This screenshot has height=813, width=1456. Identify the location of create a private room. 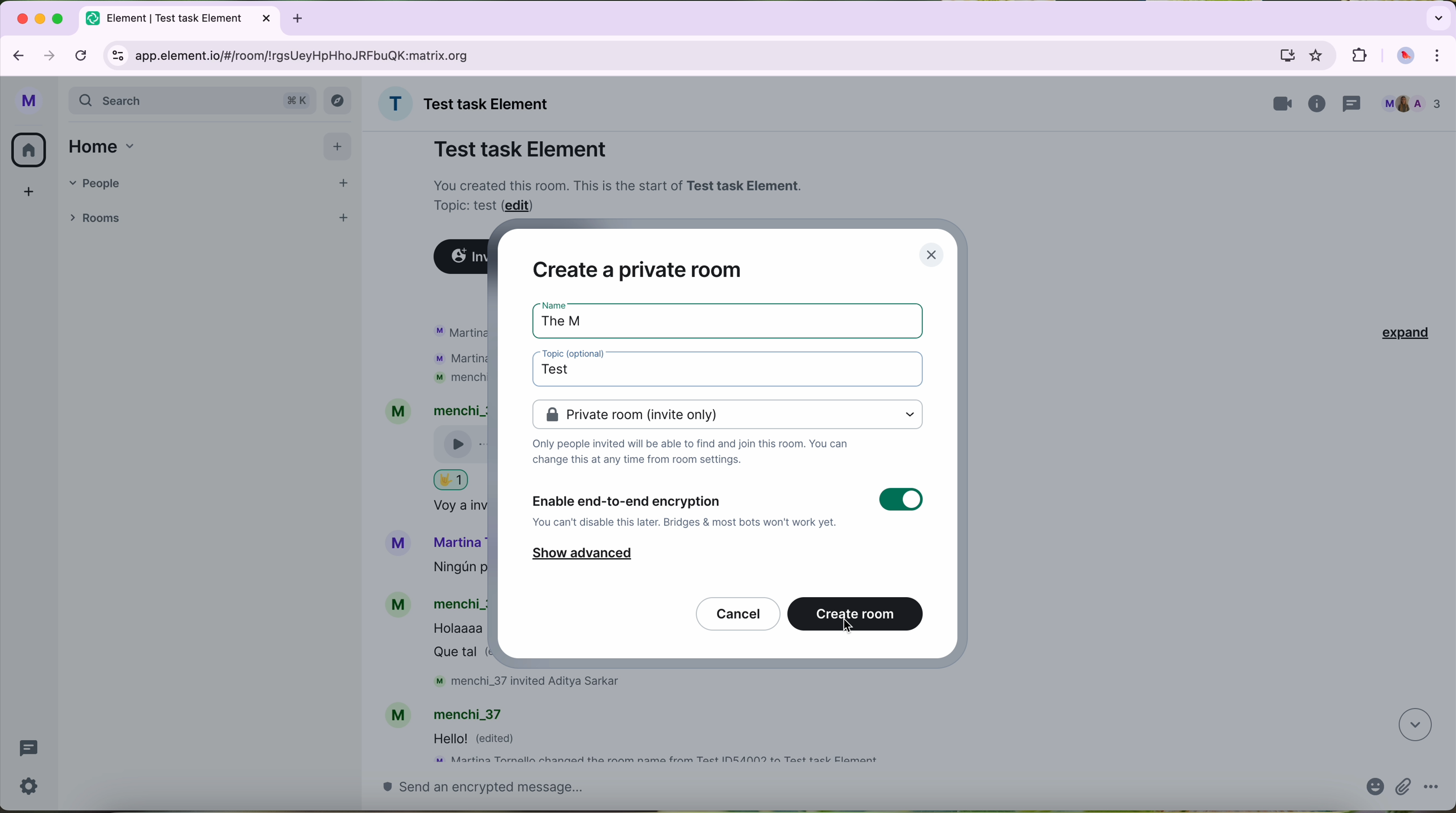
(637, 268).